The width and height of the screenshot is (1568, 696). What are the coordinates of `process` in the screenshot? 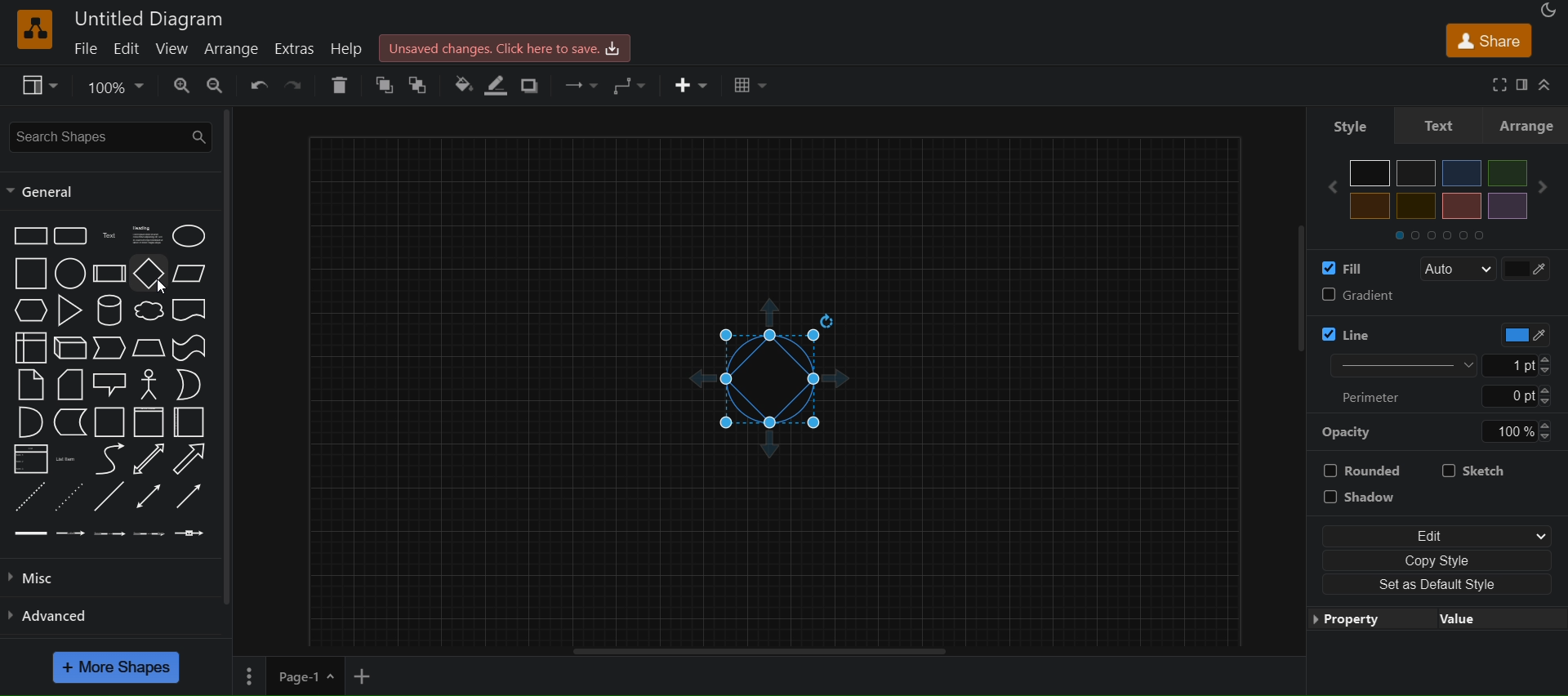 It's located at (109, 274).